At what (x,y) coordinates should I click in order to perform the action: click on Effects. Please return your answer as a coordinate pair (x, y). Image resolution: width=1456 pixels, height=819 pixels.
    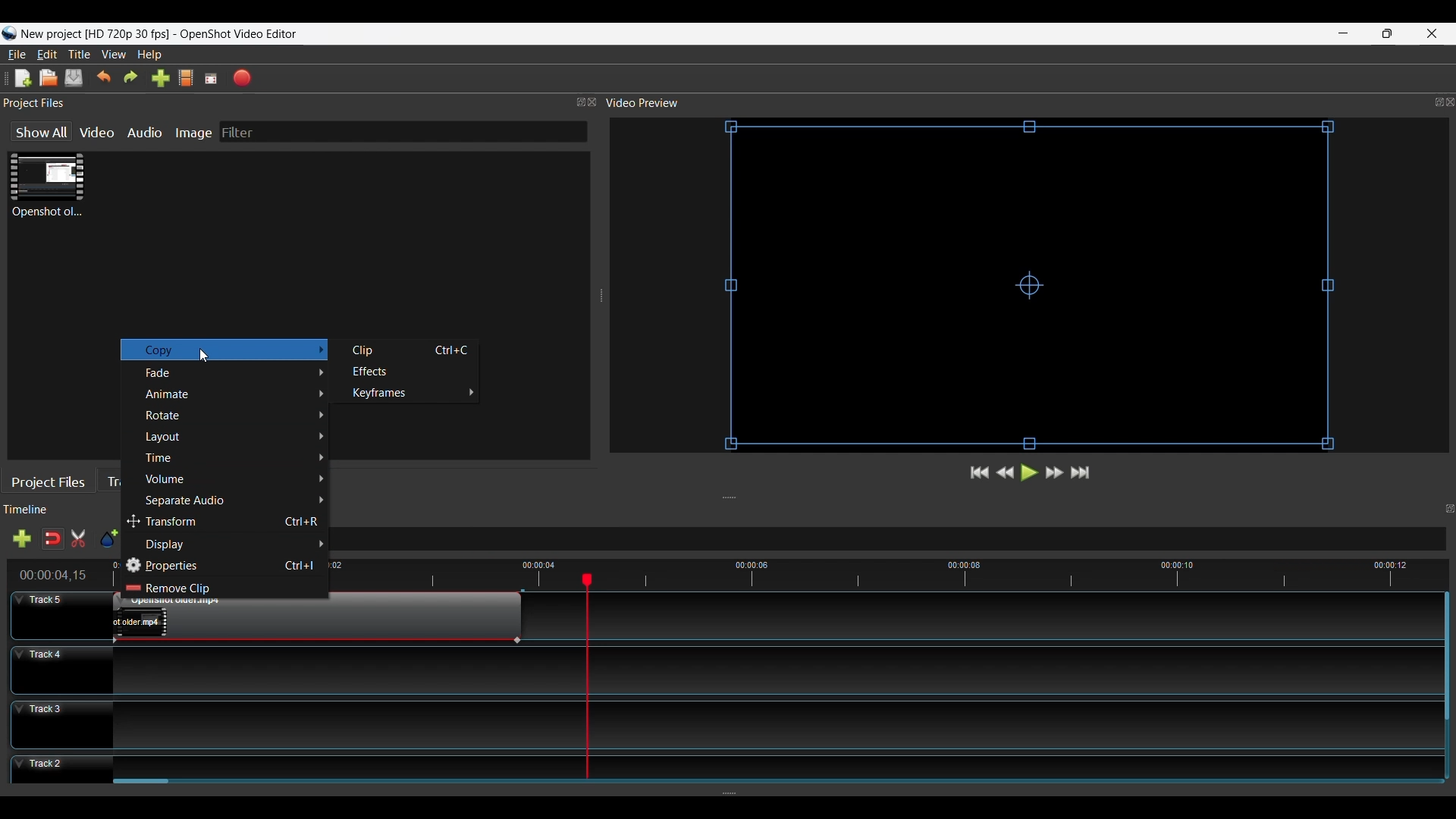
    Looking at the image, I should click on (407, 373).